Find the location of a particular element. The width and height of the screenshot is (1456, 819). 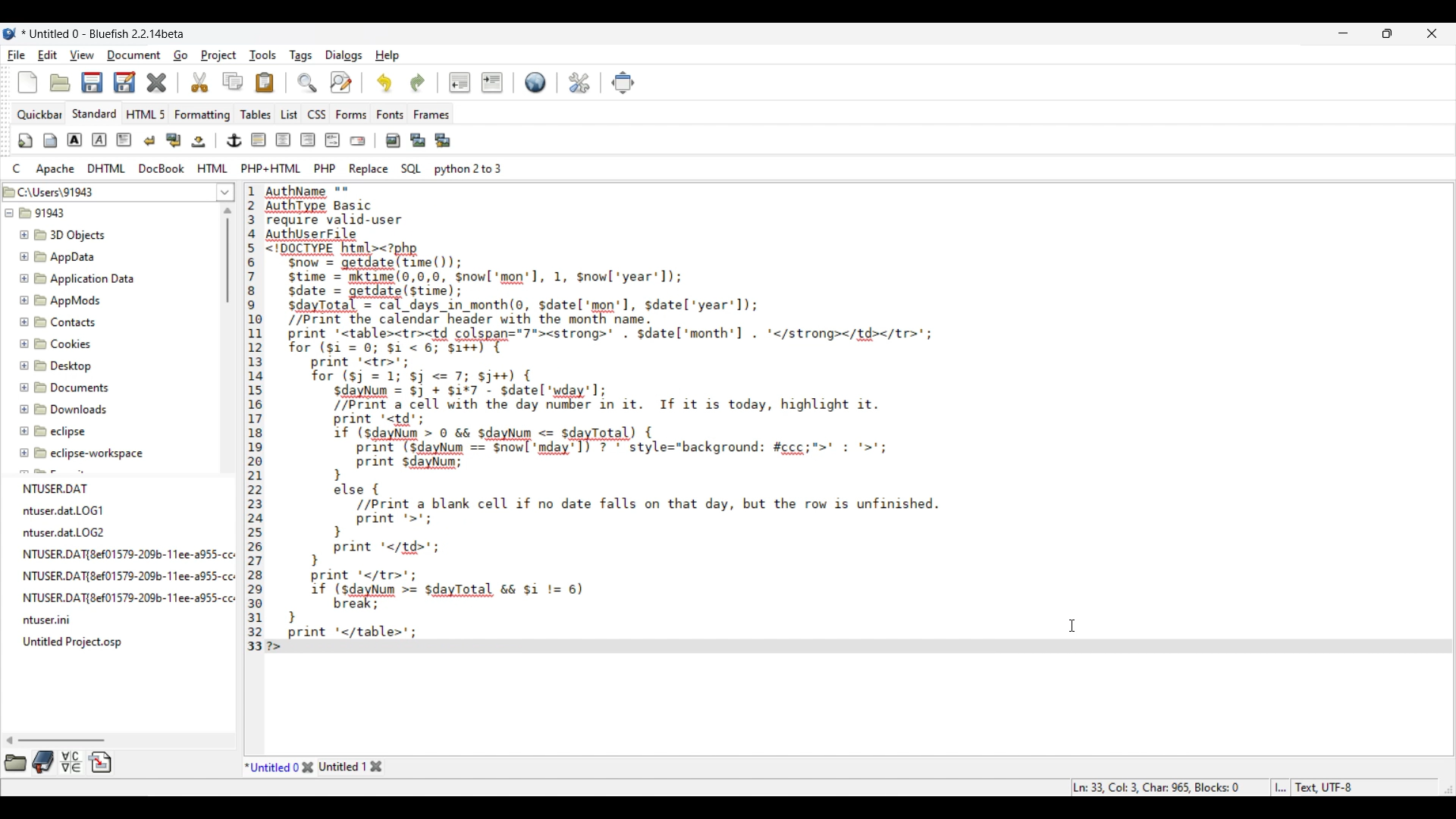

Vertical slide bar is located at coordinates (227, 256).